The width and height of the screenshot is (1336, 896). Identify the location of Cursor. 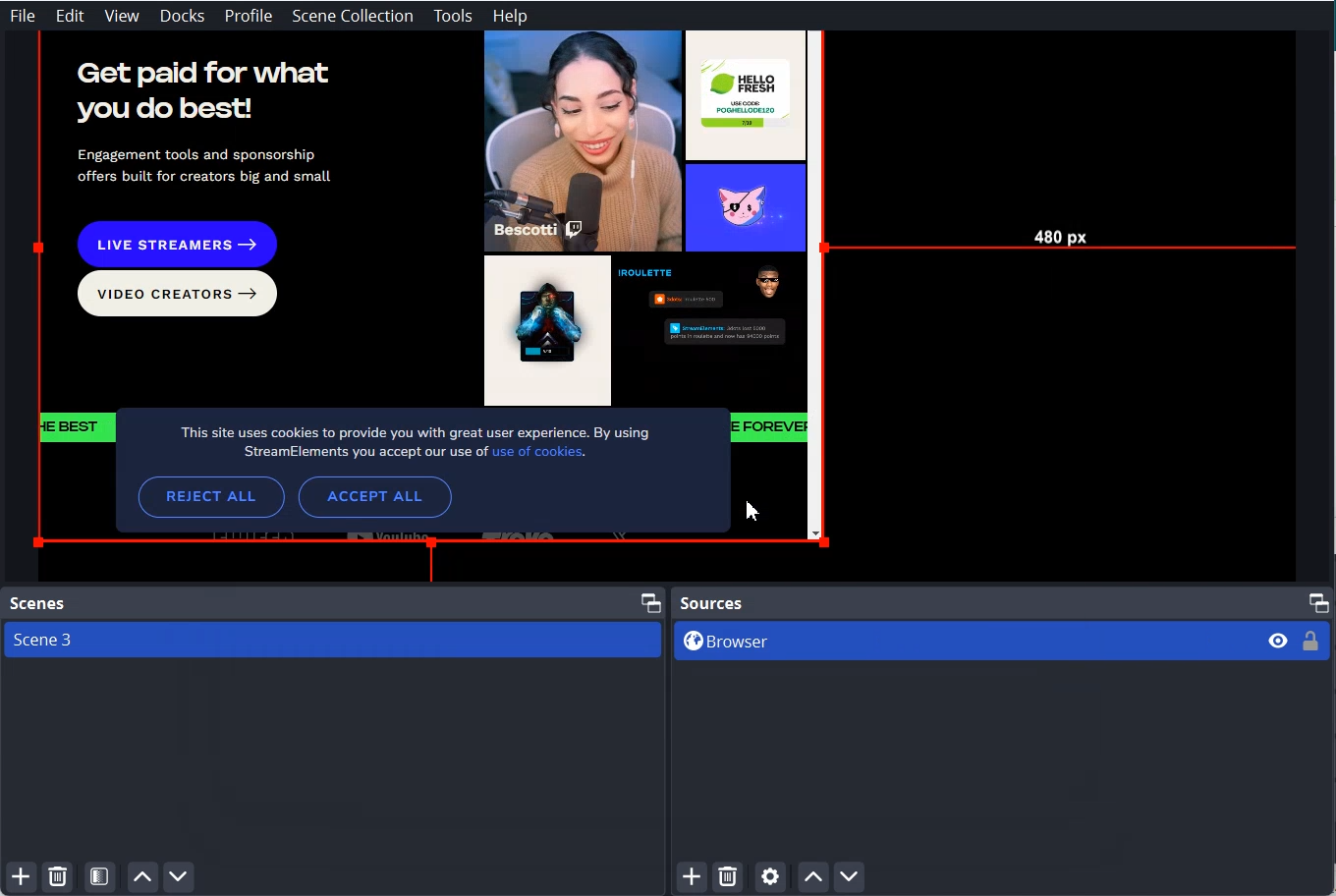
(756, 510).